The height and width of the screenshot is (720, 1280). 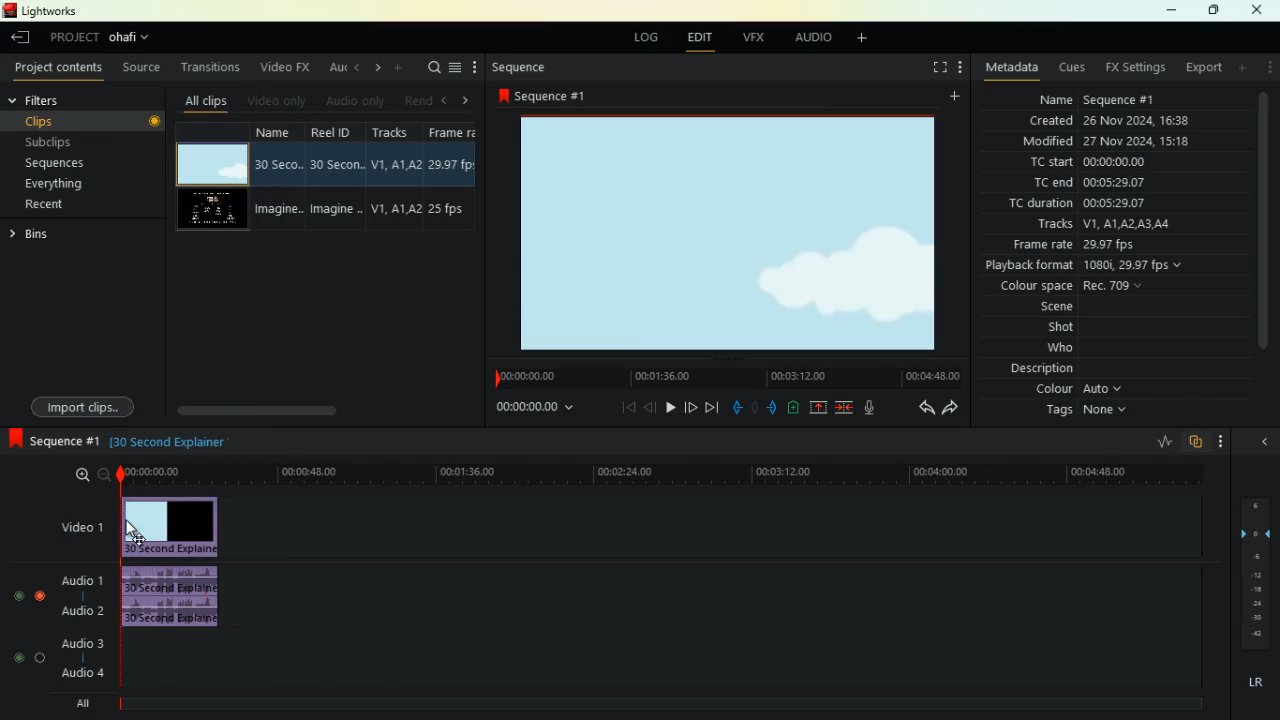 I want to click on right, so click(x=379, y=67).